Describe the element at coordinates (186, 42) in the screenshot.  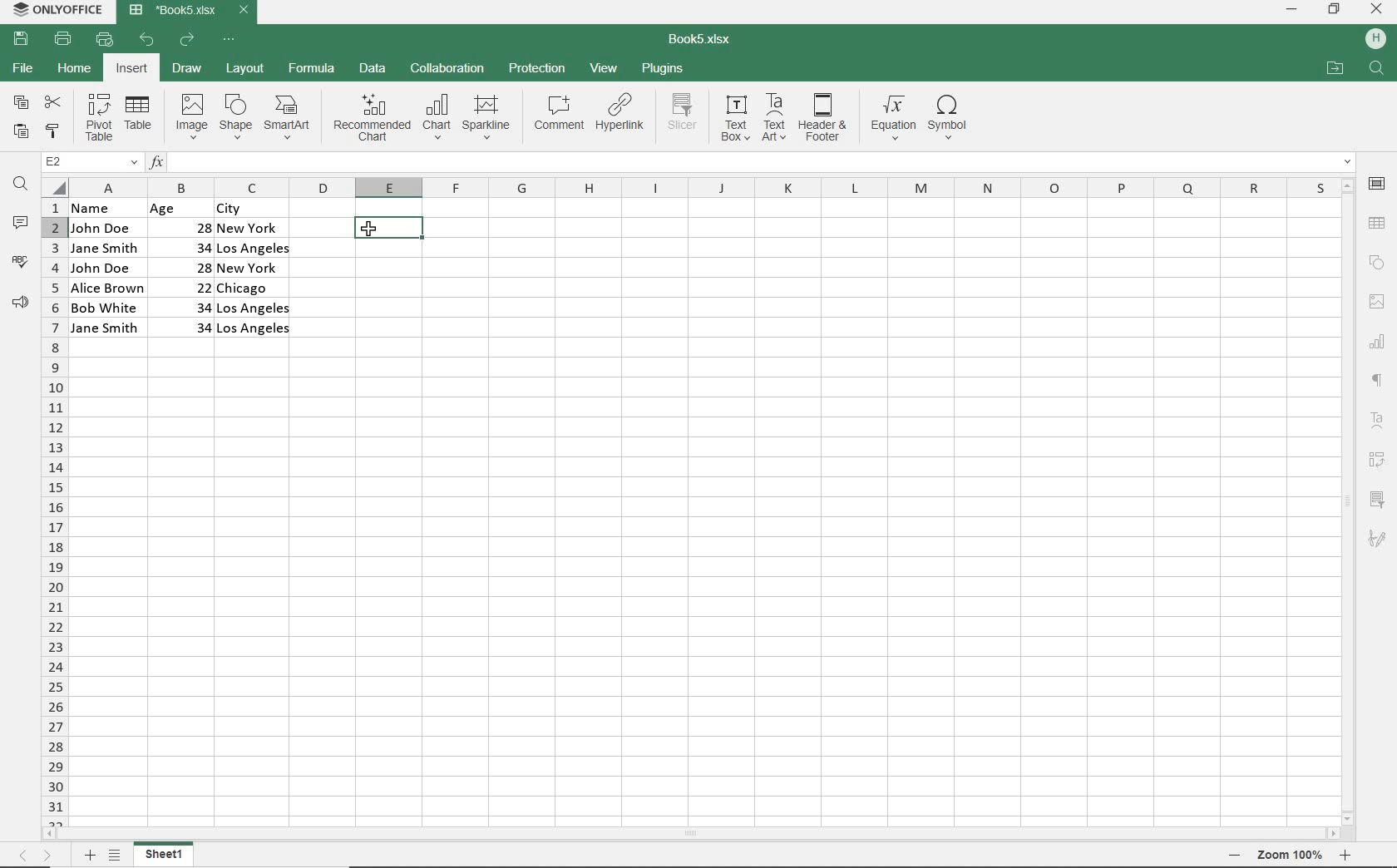
I see `REDO` at that location.